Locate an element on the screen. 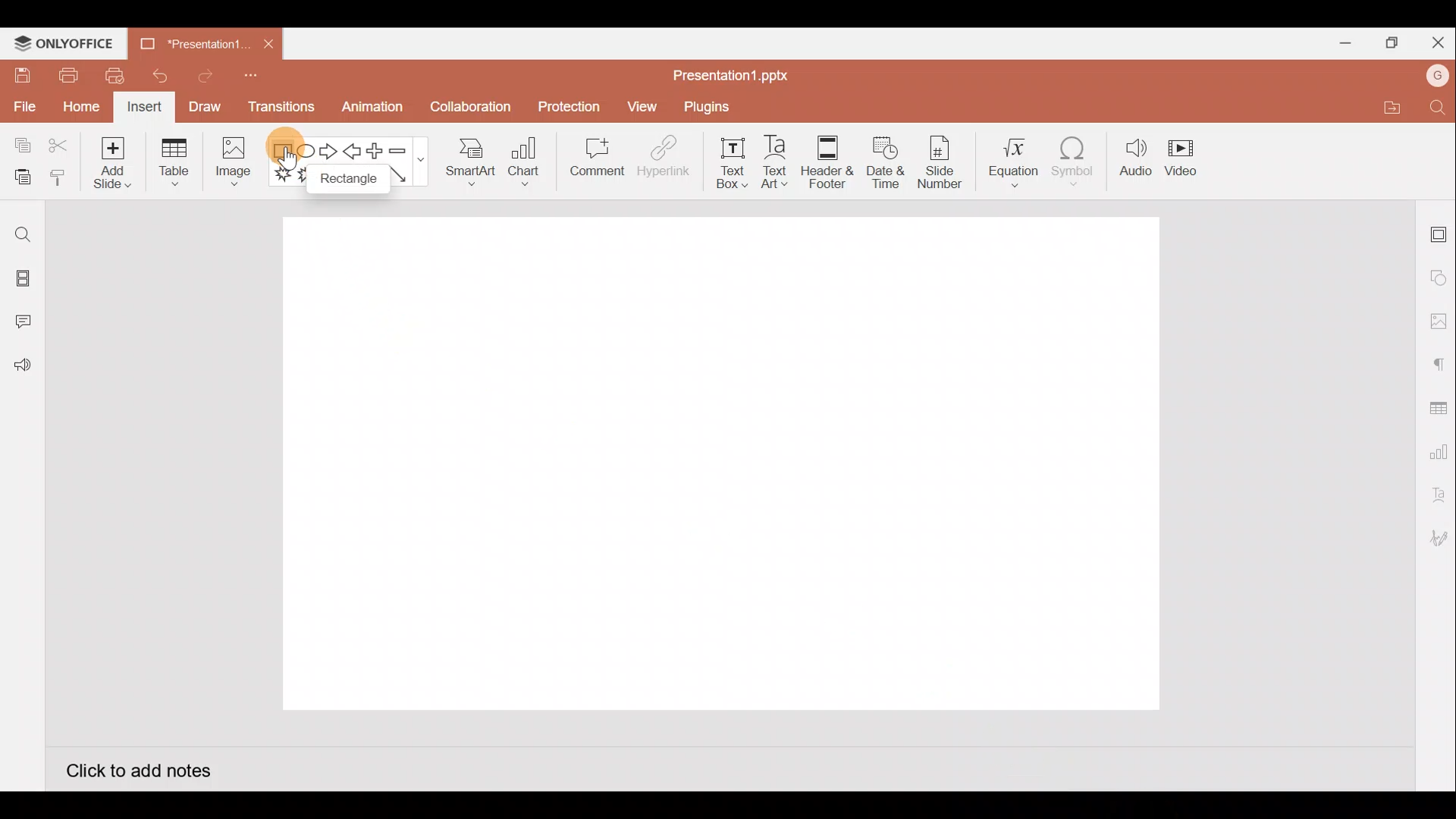 Image resolution: width=1456 pixels, height=819 pixels. Left arrow is located at coordinates (353, 151).